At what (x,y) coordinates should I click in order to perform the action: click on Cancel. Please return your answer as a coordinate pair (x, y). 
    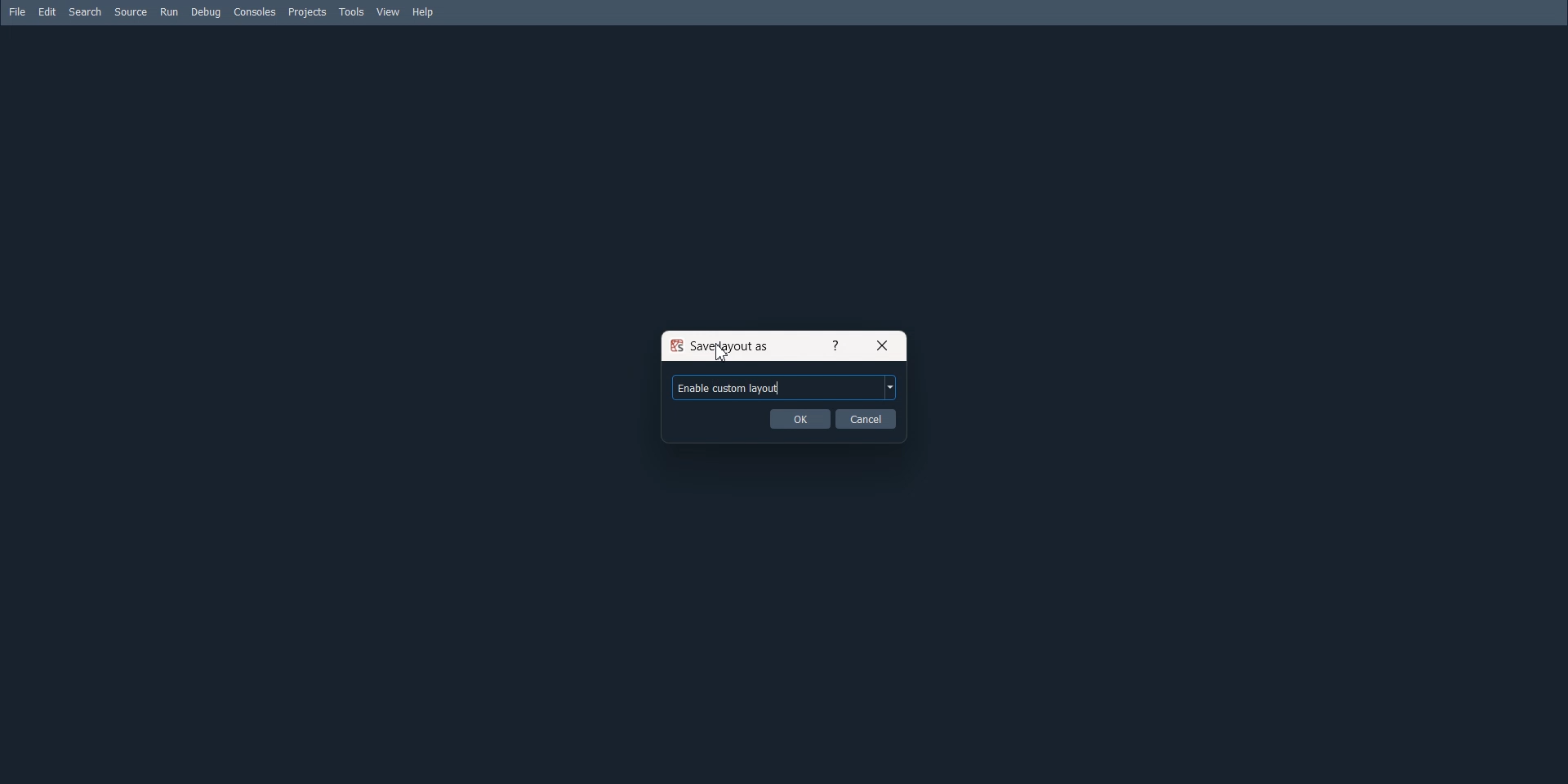
    Looking at the image, I should click on (867, 418).